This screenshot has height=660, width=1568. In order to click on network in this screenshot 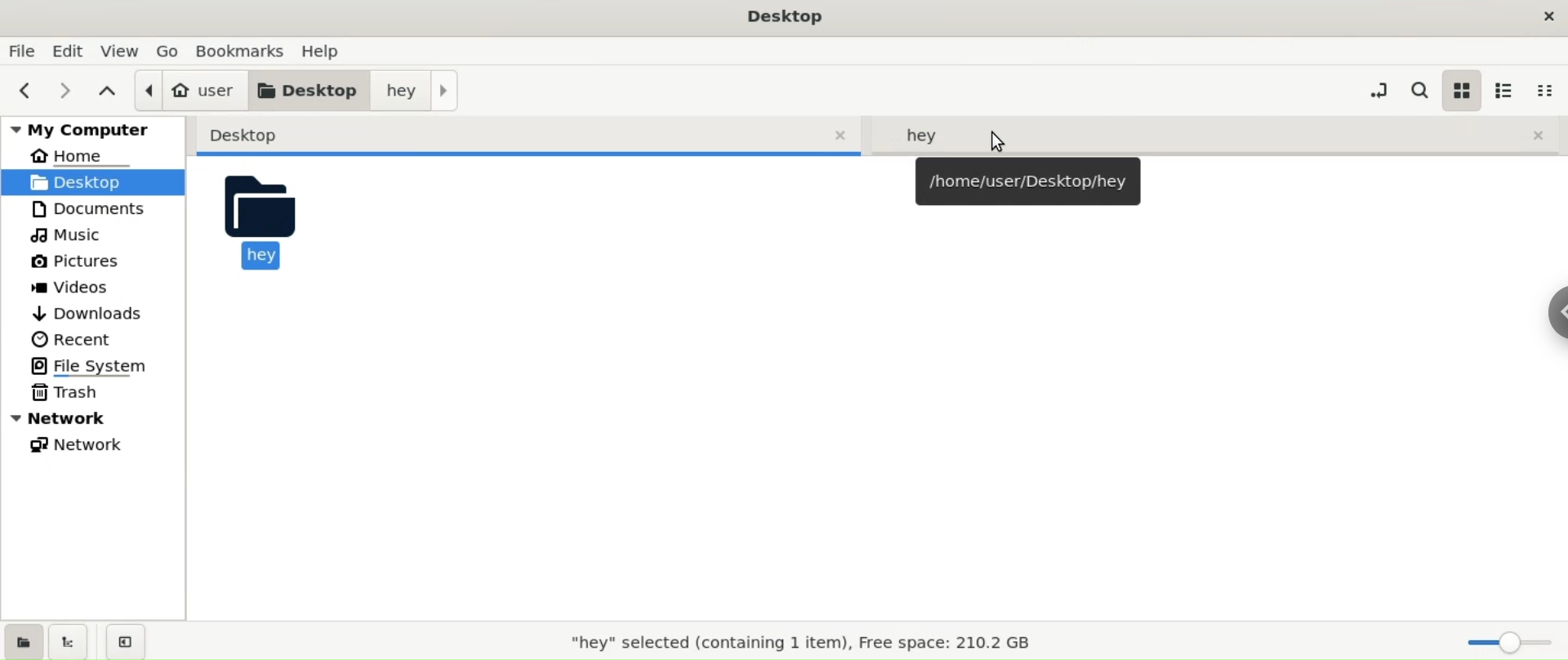, I will do `click(100, 444)`.